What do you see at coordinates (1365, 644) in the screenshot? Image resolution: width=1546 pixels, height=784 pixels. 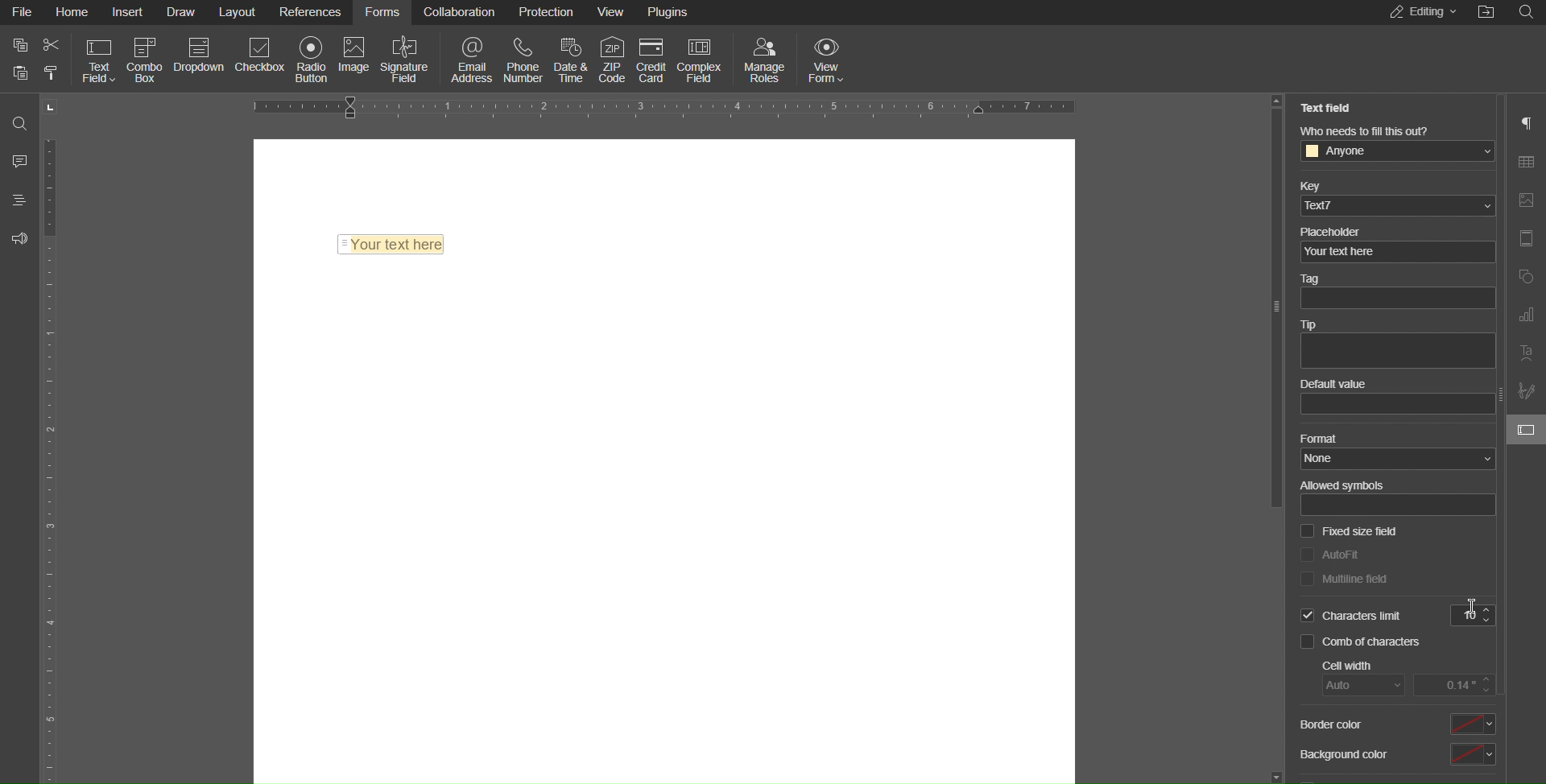 I see `Comb of characters` at bounding box center [1365, 644].